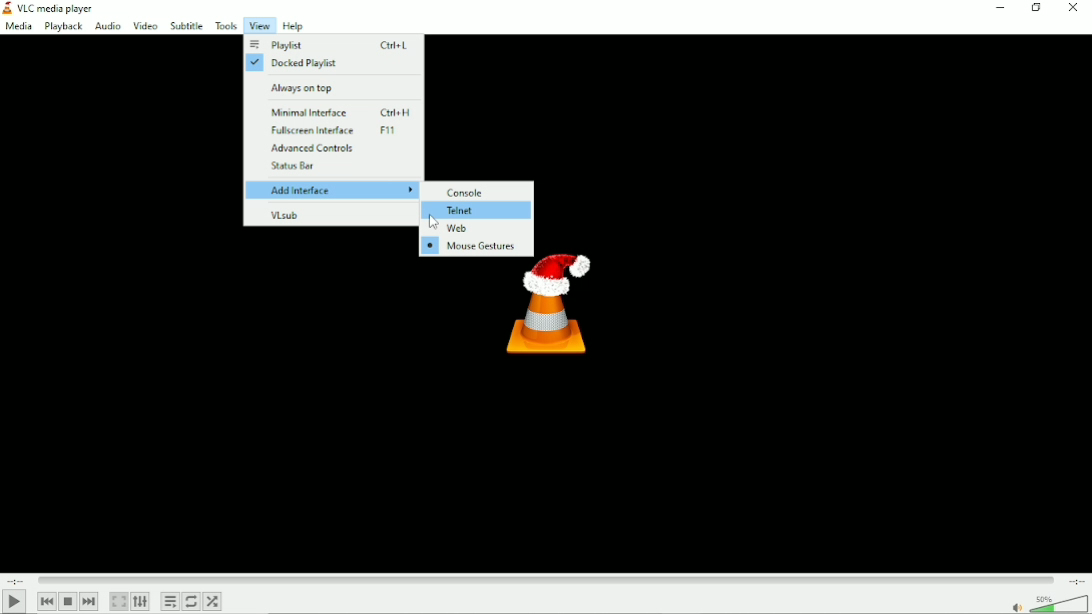 This screenshot has height=614, width=1092. I want to click on Play duration, so click(544, 578).